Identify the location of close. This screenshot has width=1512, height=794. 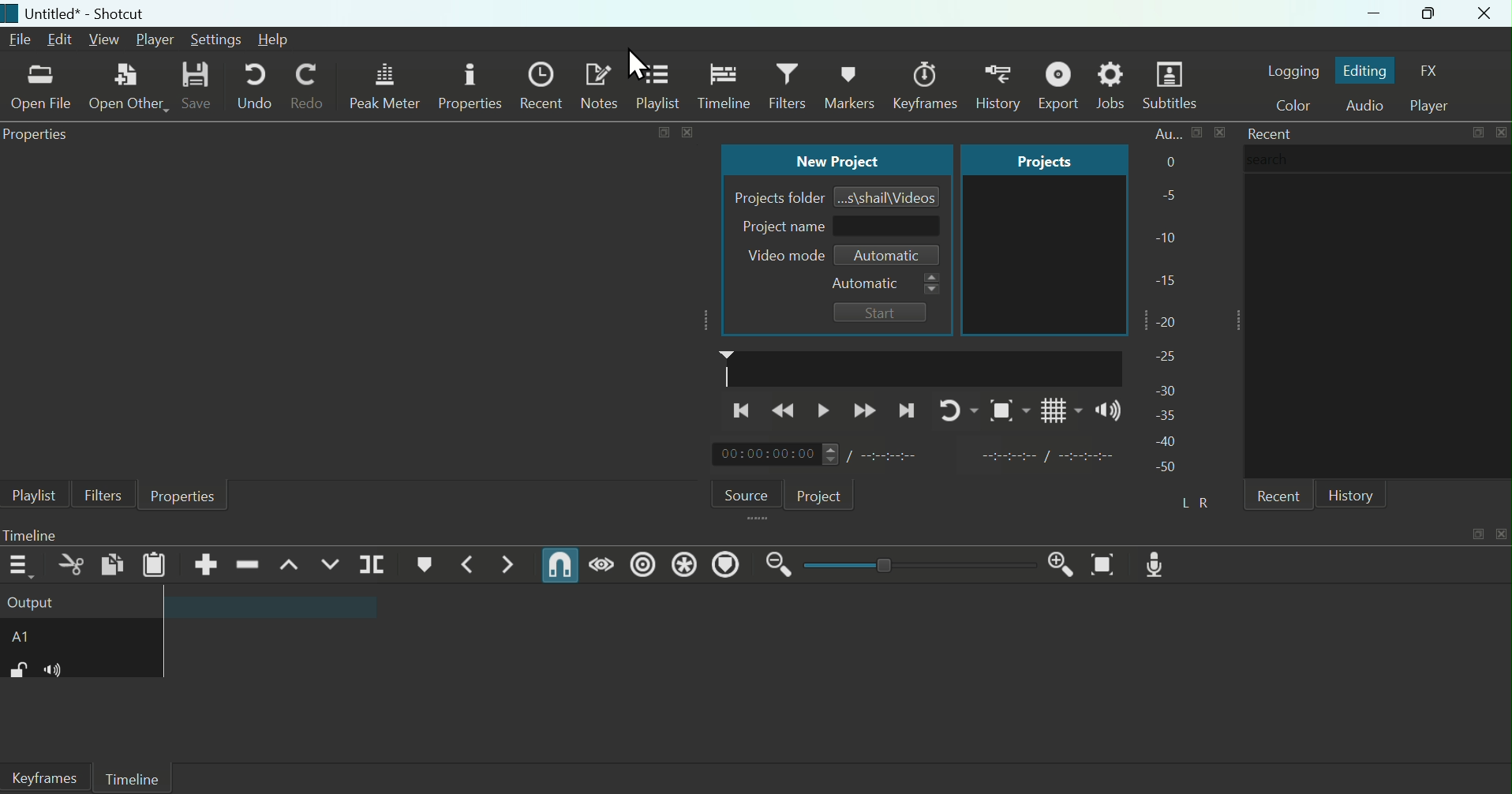
(1500, 132).